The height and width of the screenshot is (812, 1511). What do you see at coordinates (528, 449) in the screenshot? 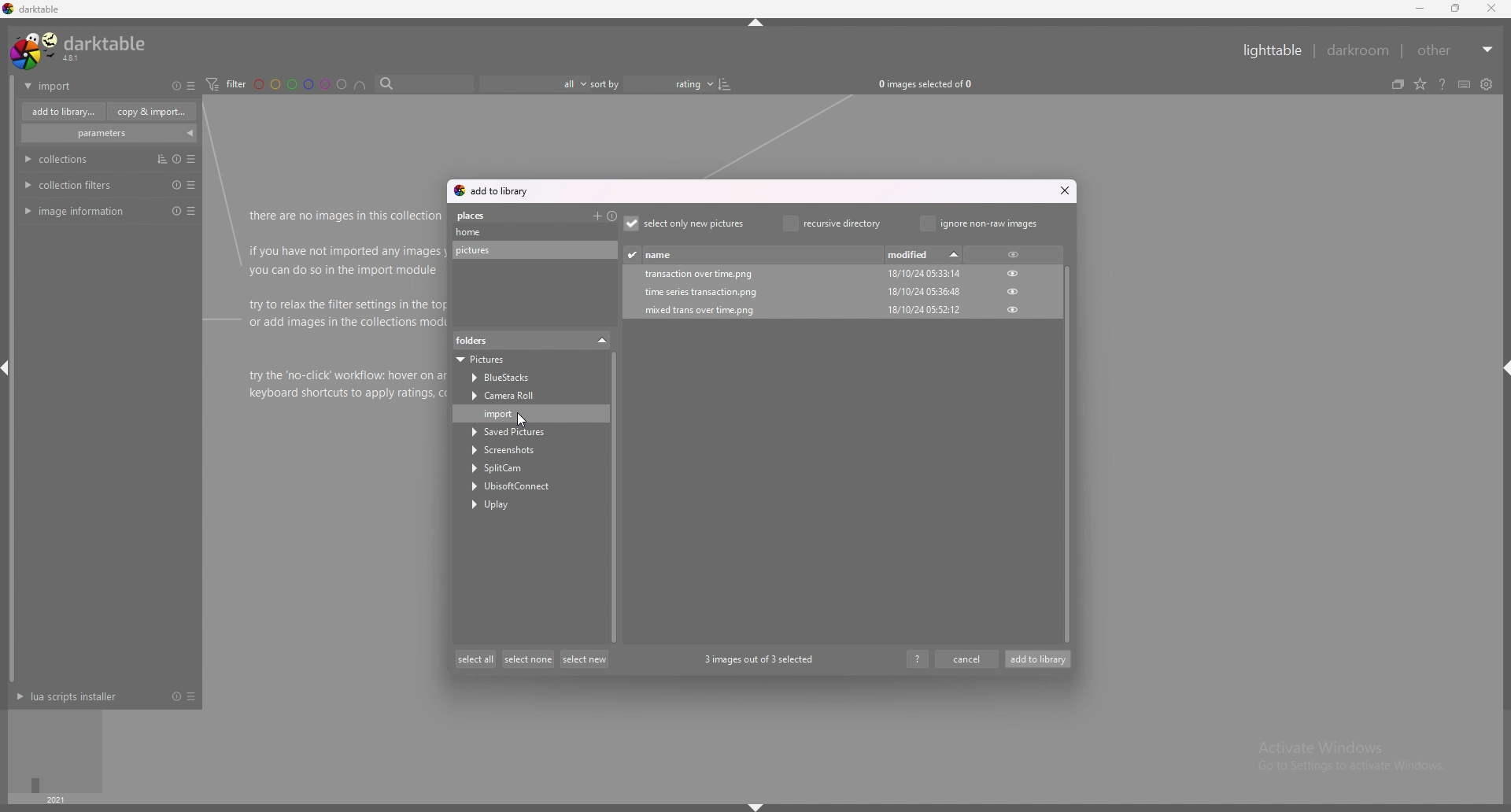
I see `Screenshots` at bounding box center [528, 449].